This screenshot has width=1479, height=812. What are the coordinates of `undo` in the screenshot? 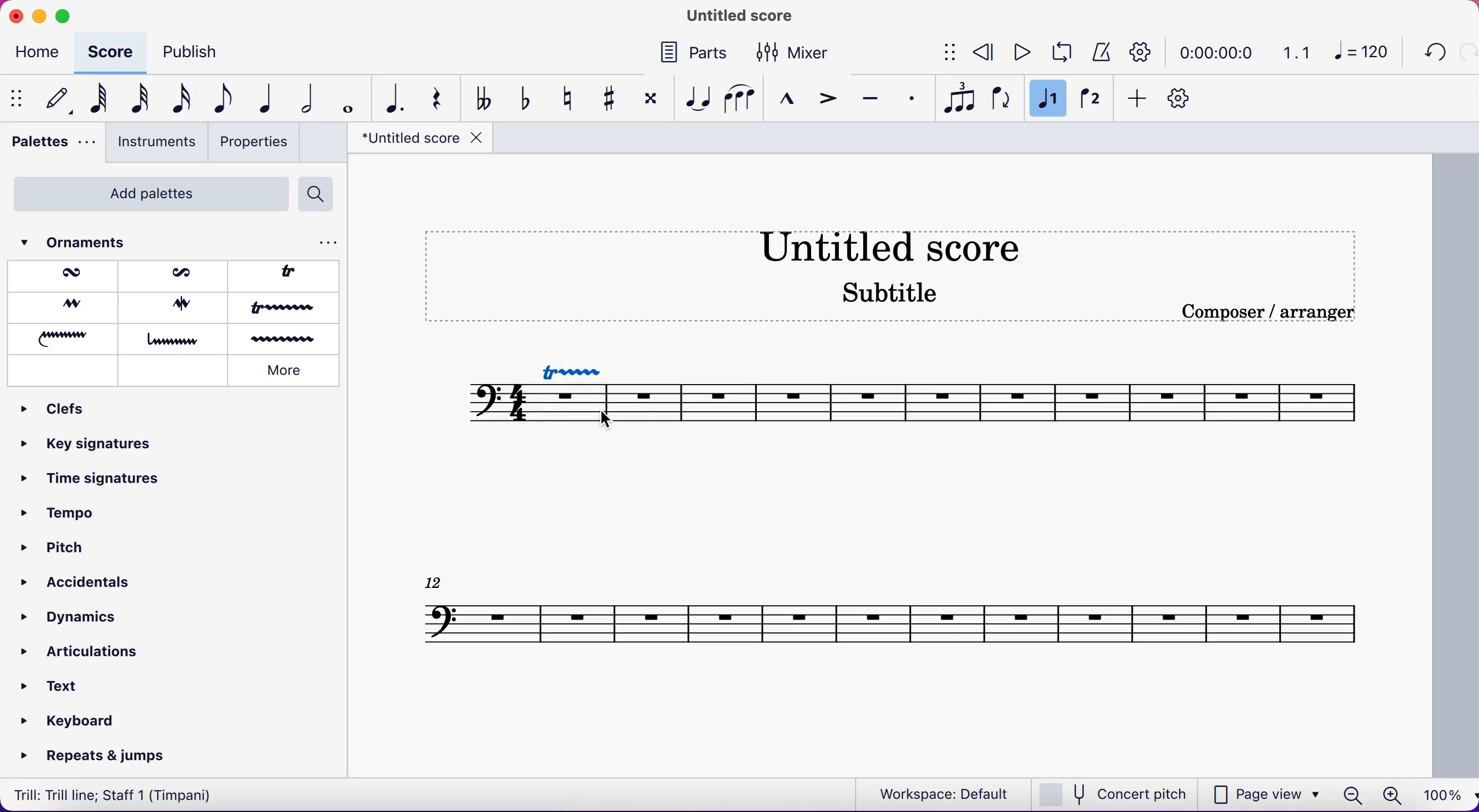 It's located at (1432, 54).